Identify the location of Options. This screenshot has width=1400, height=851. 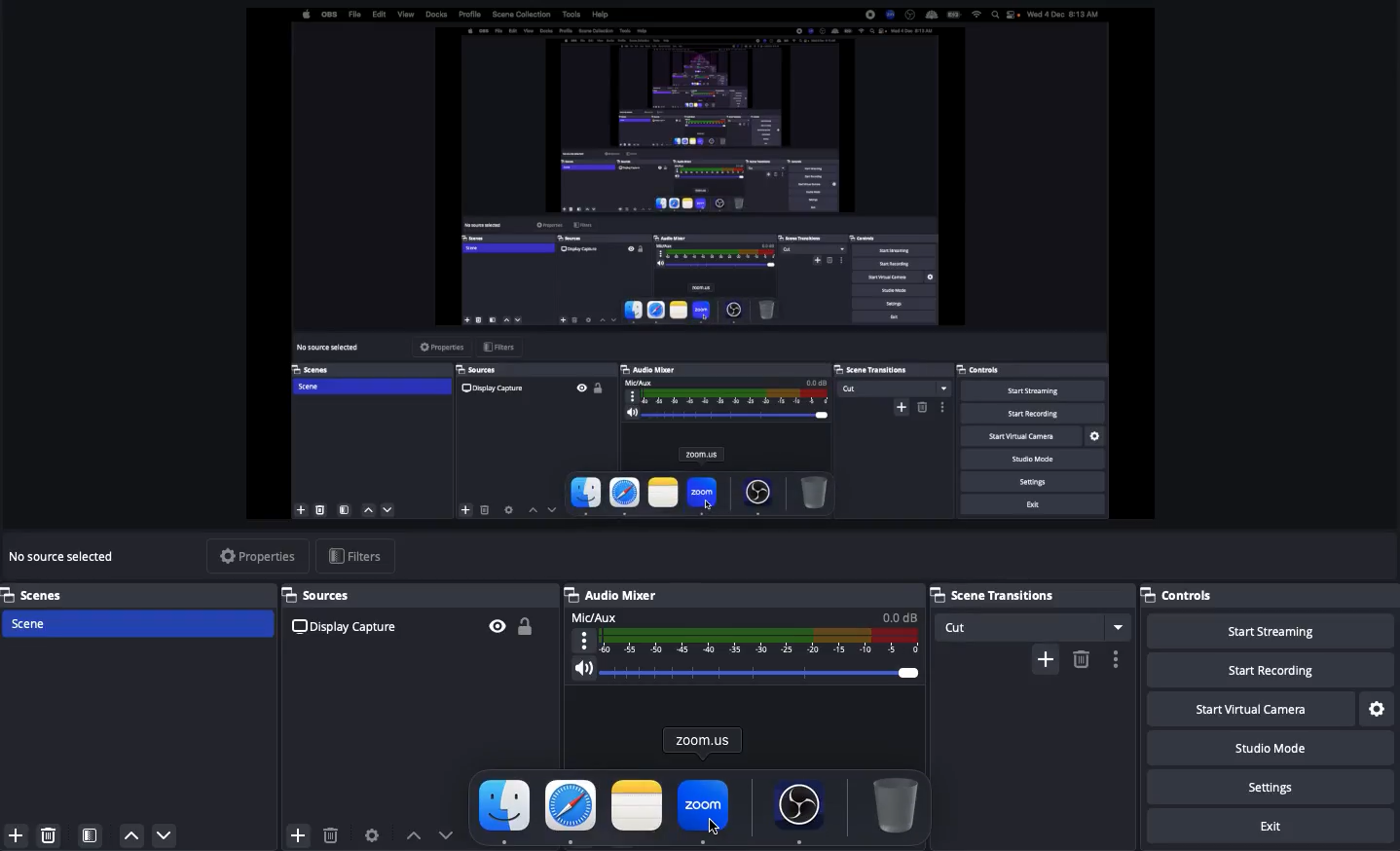
(1115, 655).